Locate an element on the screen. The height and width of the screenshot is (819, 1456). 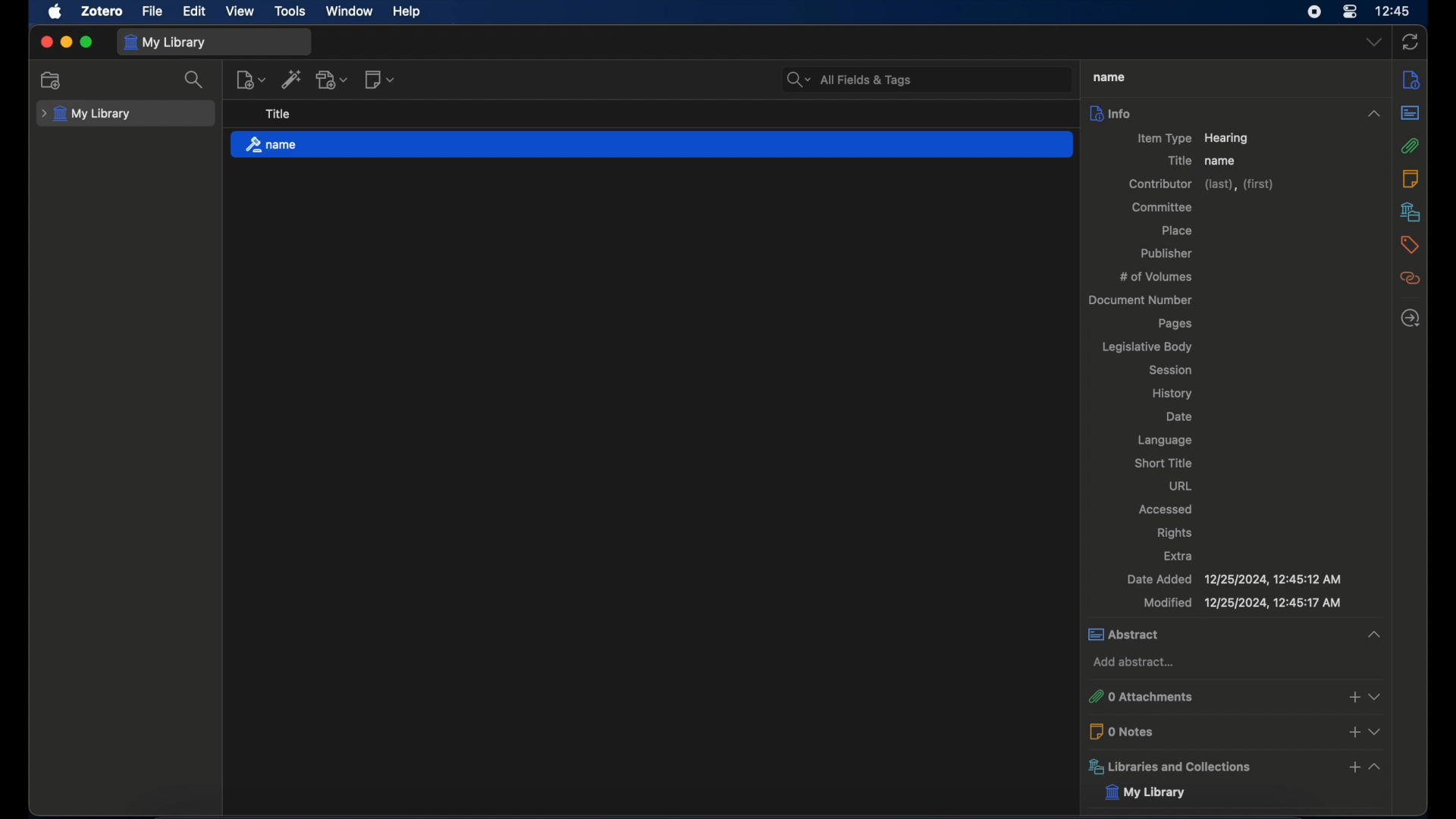
0 notes is located at coordinates (1235, 731).